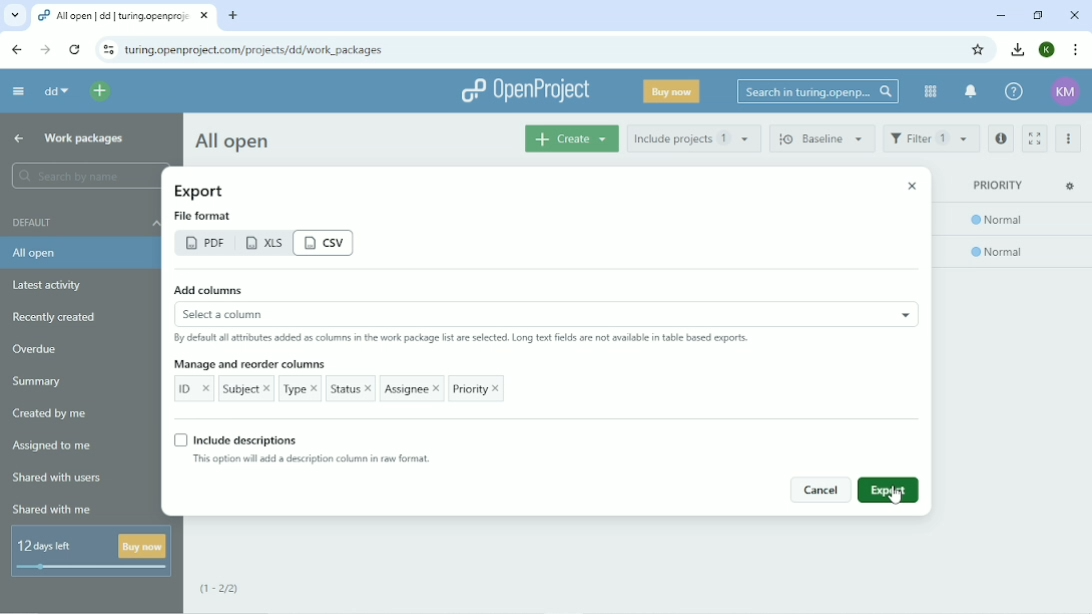 The image size is (1092, 614). Describe the element at coordinates (81, 253) in the screenshot. I see `All open` at that location.